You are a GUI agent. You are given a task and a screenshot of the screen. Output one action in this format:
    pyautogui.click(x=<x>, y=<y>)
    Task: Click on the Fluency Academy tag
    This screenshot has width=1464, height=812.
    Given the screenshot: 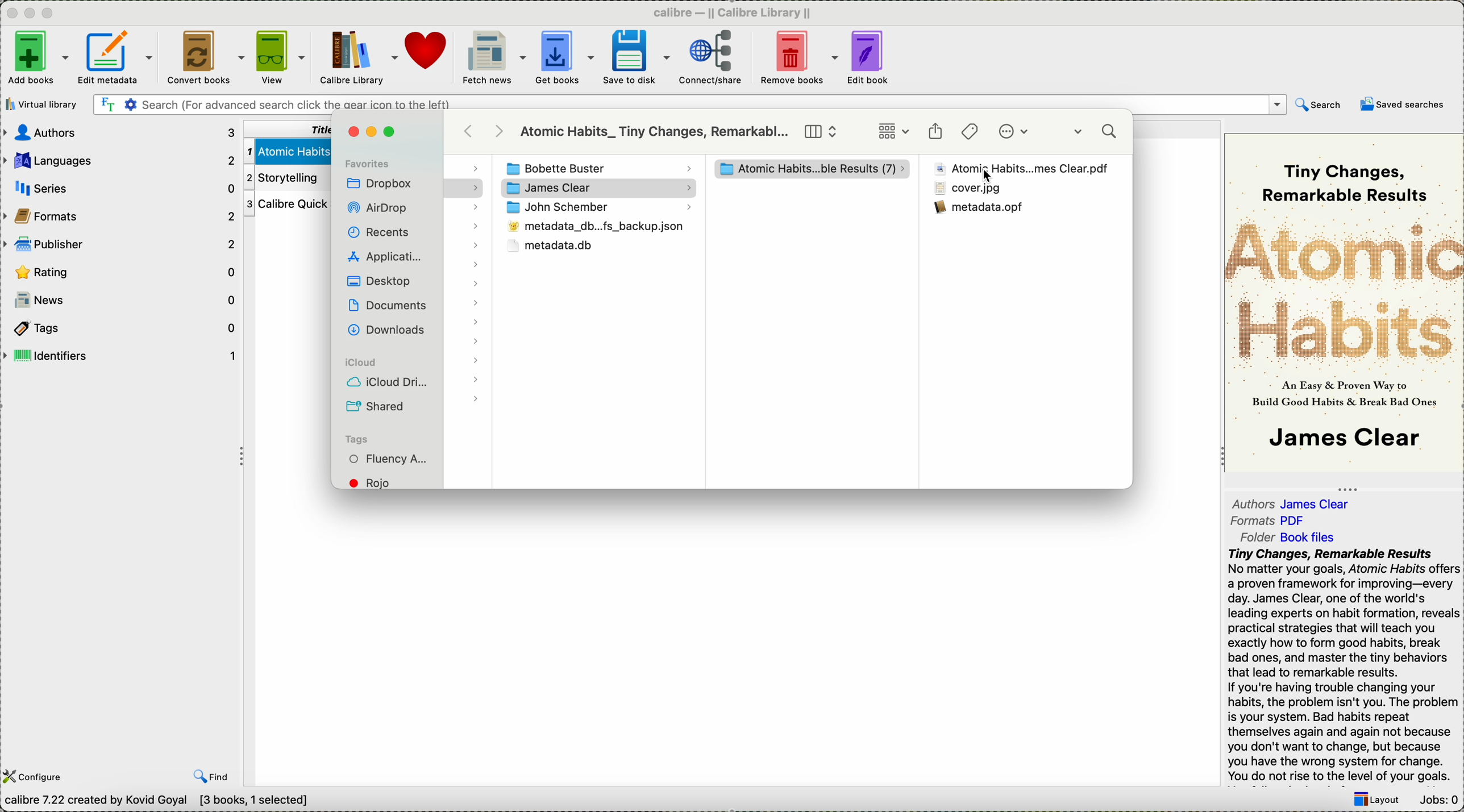 What is the action you would take?
    pyautogui.click(x=389, y=460)
    